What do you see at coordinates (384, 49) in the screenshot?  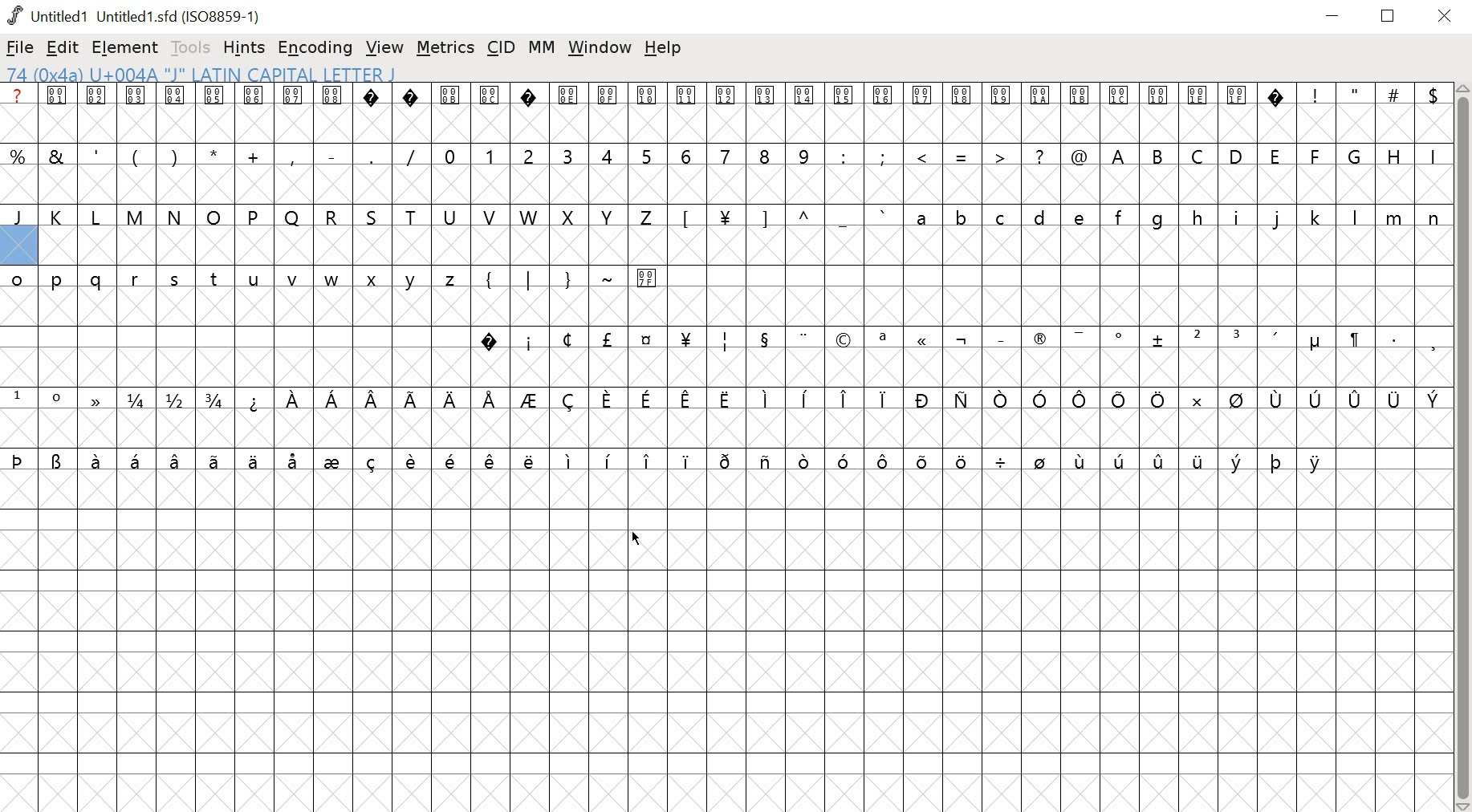 I see `VIEW` at bounding box center [384, 49].